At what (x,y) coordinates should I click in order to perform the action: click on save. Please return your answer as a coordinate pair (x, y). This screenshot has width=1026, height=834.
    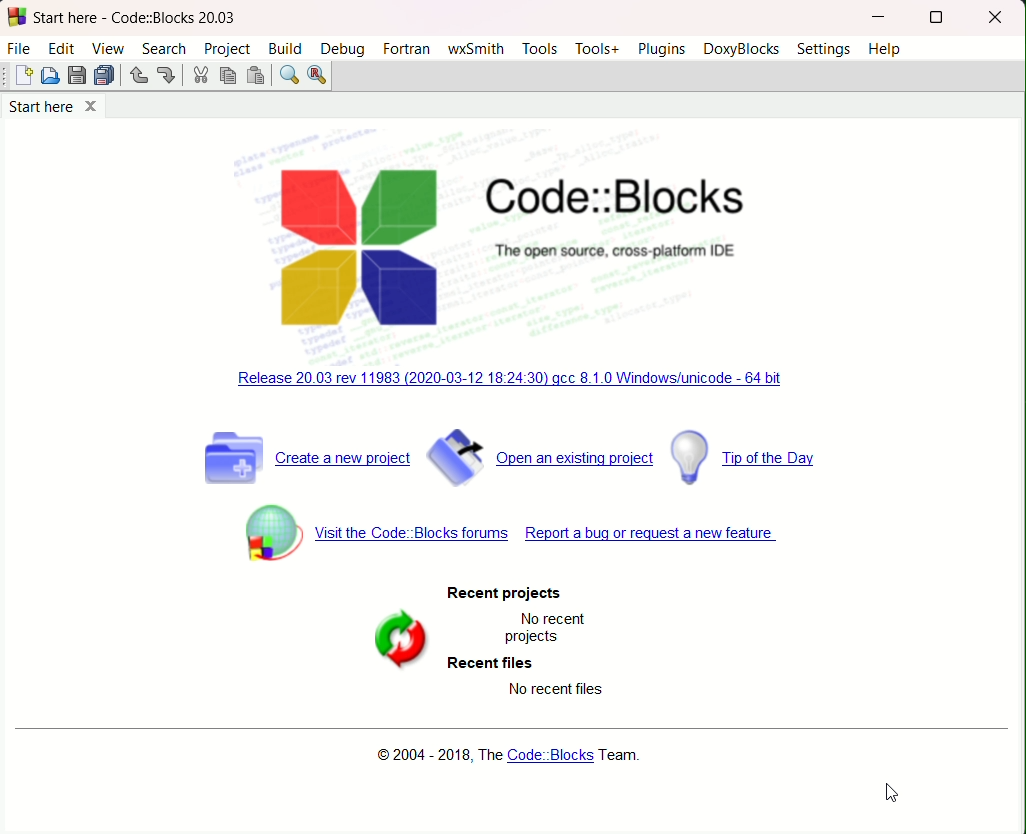
    Looking at the image, I should click on (77, 76).